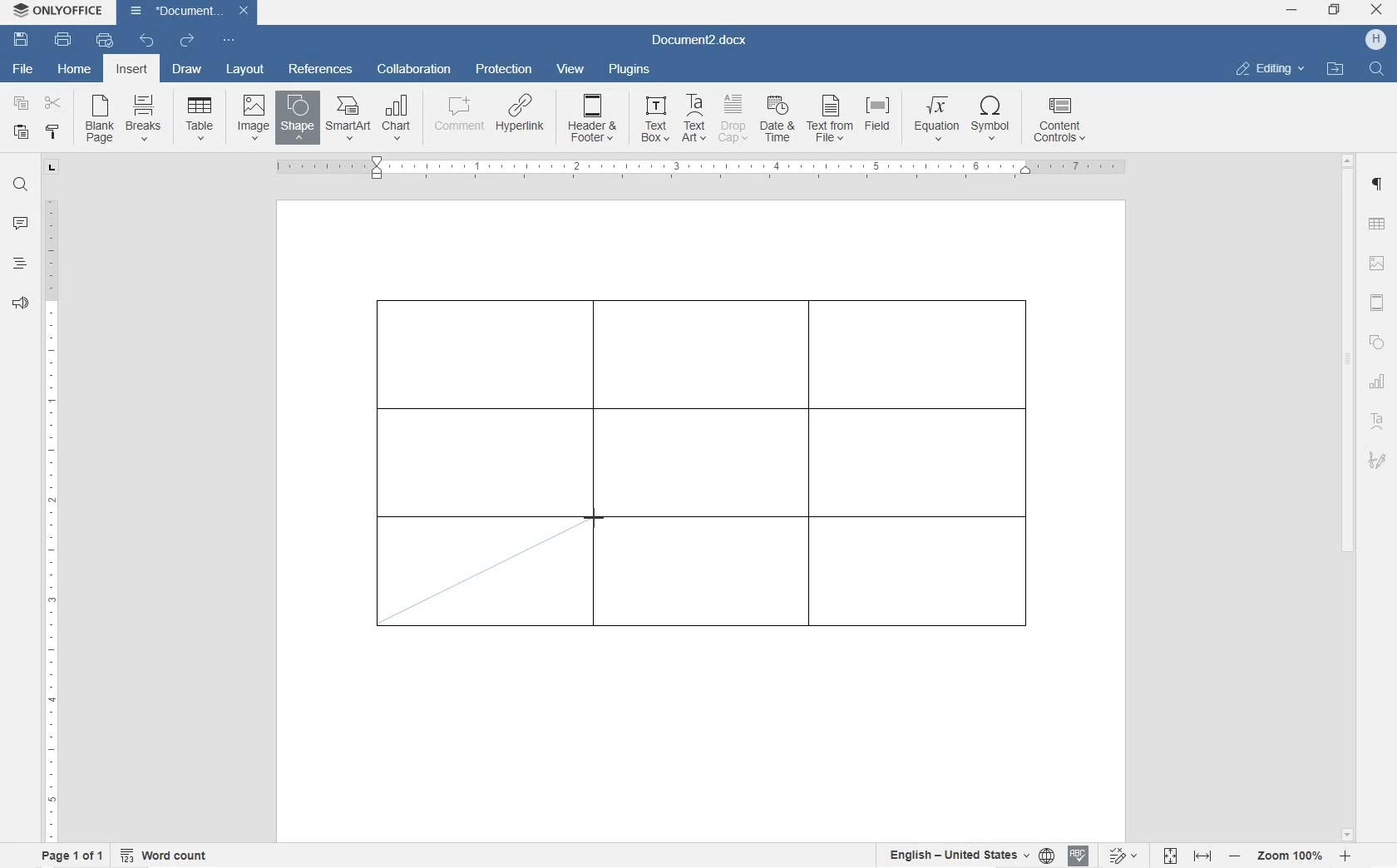  I want to click on feedback & support, so click(20, 305).